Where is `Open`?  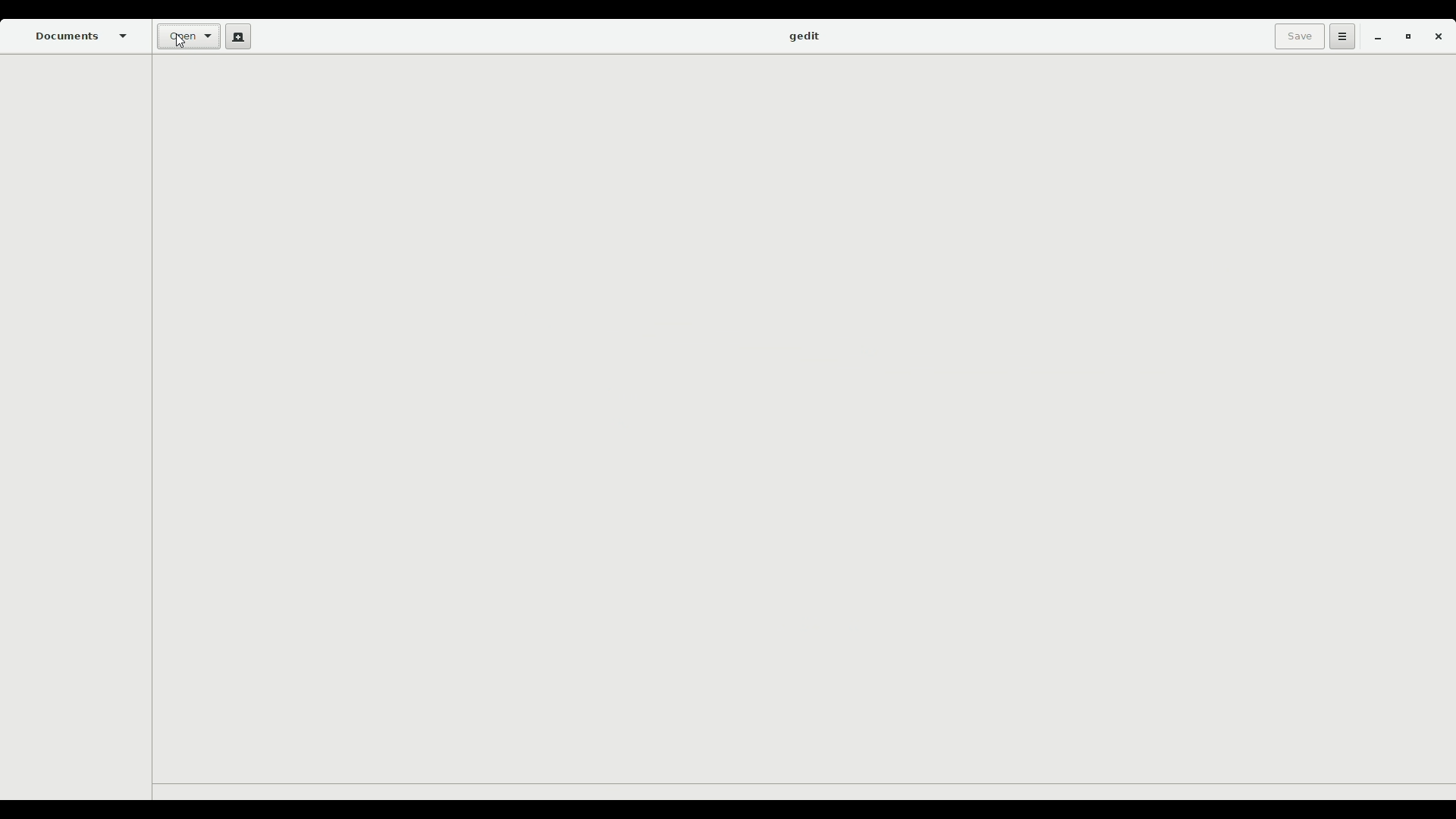
Open is located at coordinates (187, 38).